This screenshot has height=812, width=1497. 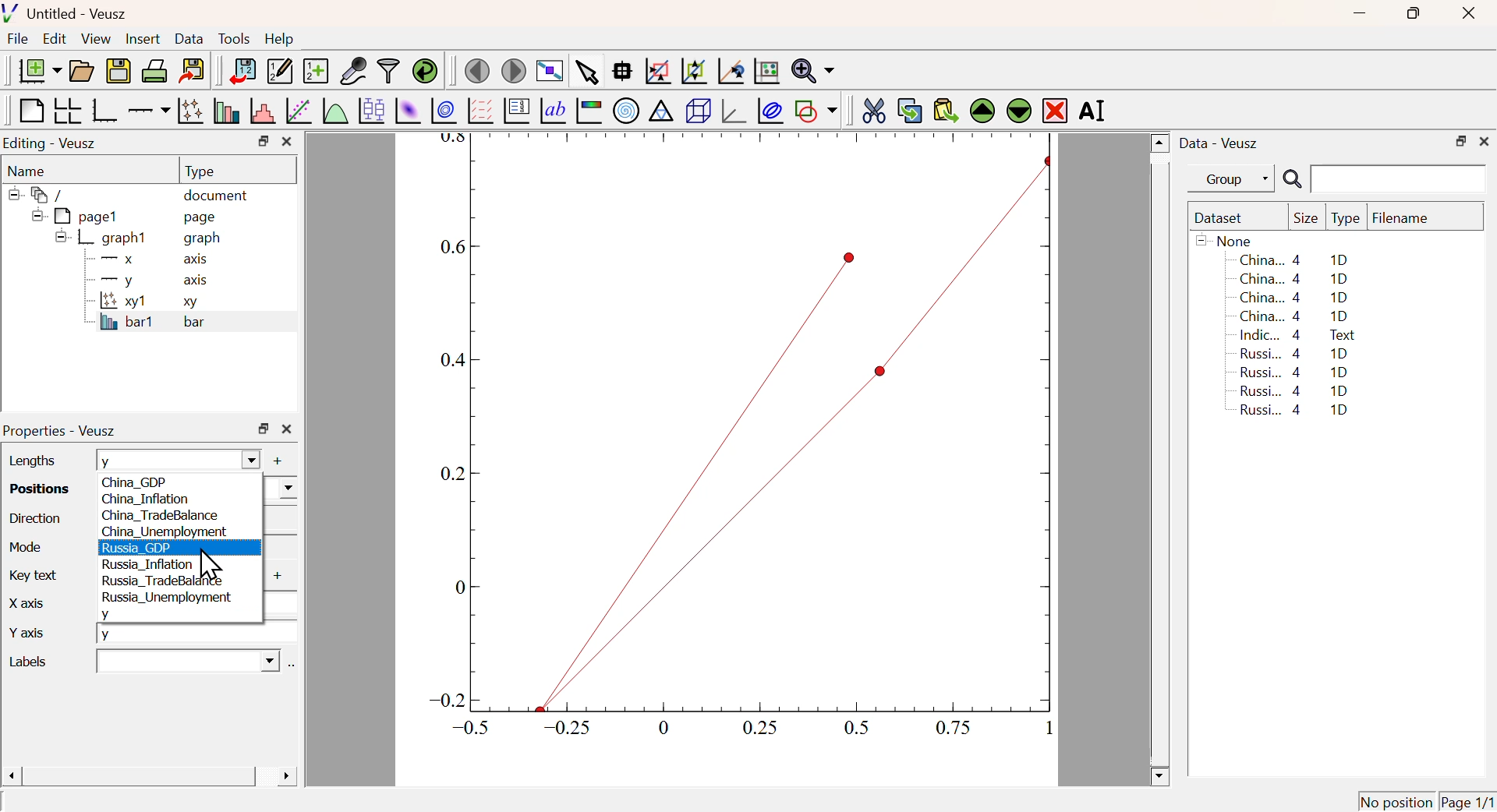 What do you see at coordinates (280, 486) in the screenshot?
I see `China_Inflation` at bounding box center [280, 486].